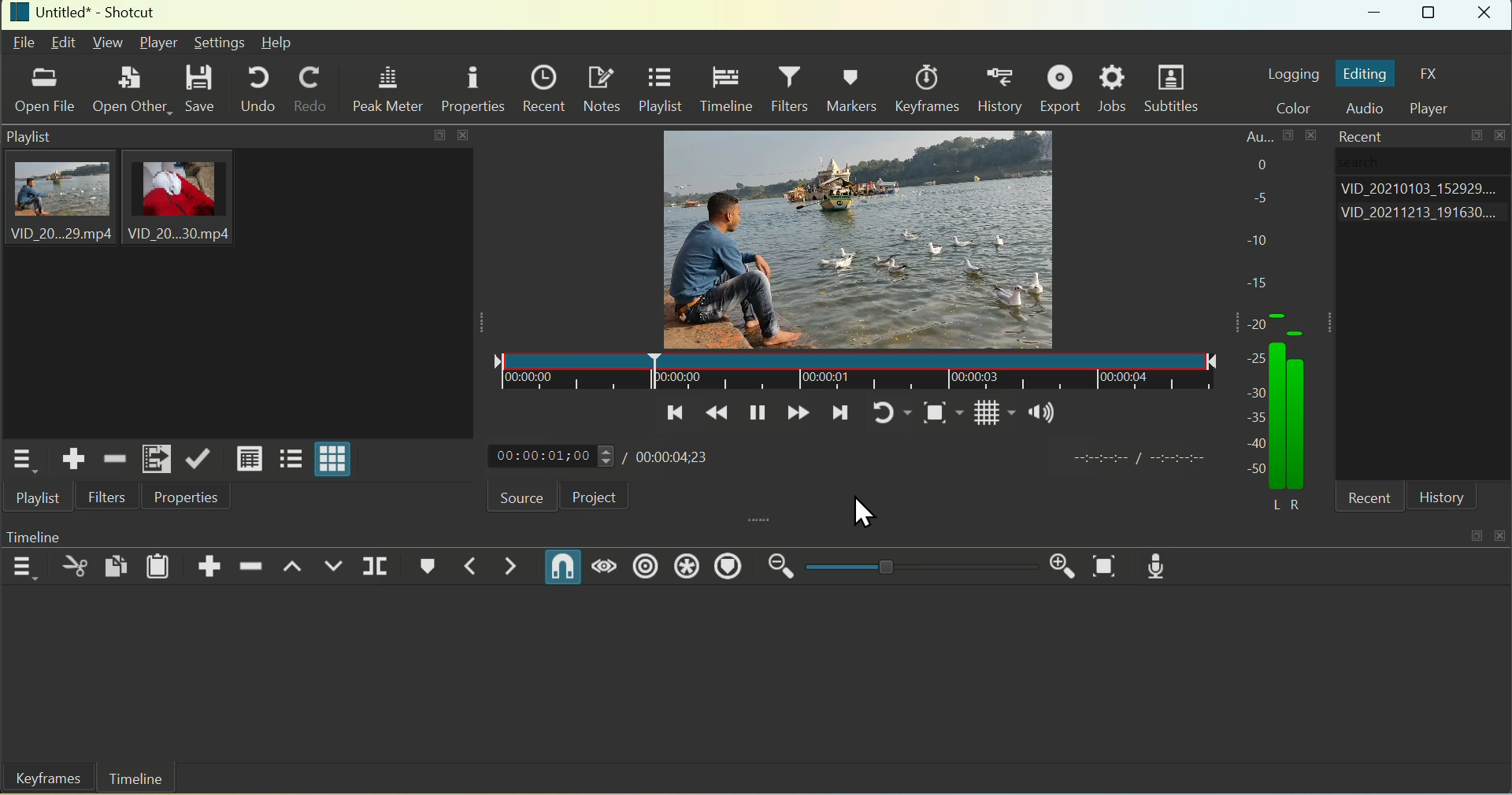 Image resolution: width=1512 pixels, height=795 pixels. I want to click on Peak Meter, so click(391, 91).